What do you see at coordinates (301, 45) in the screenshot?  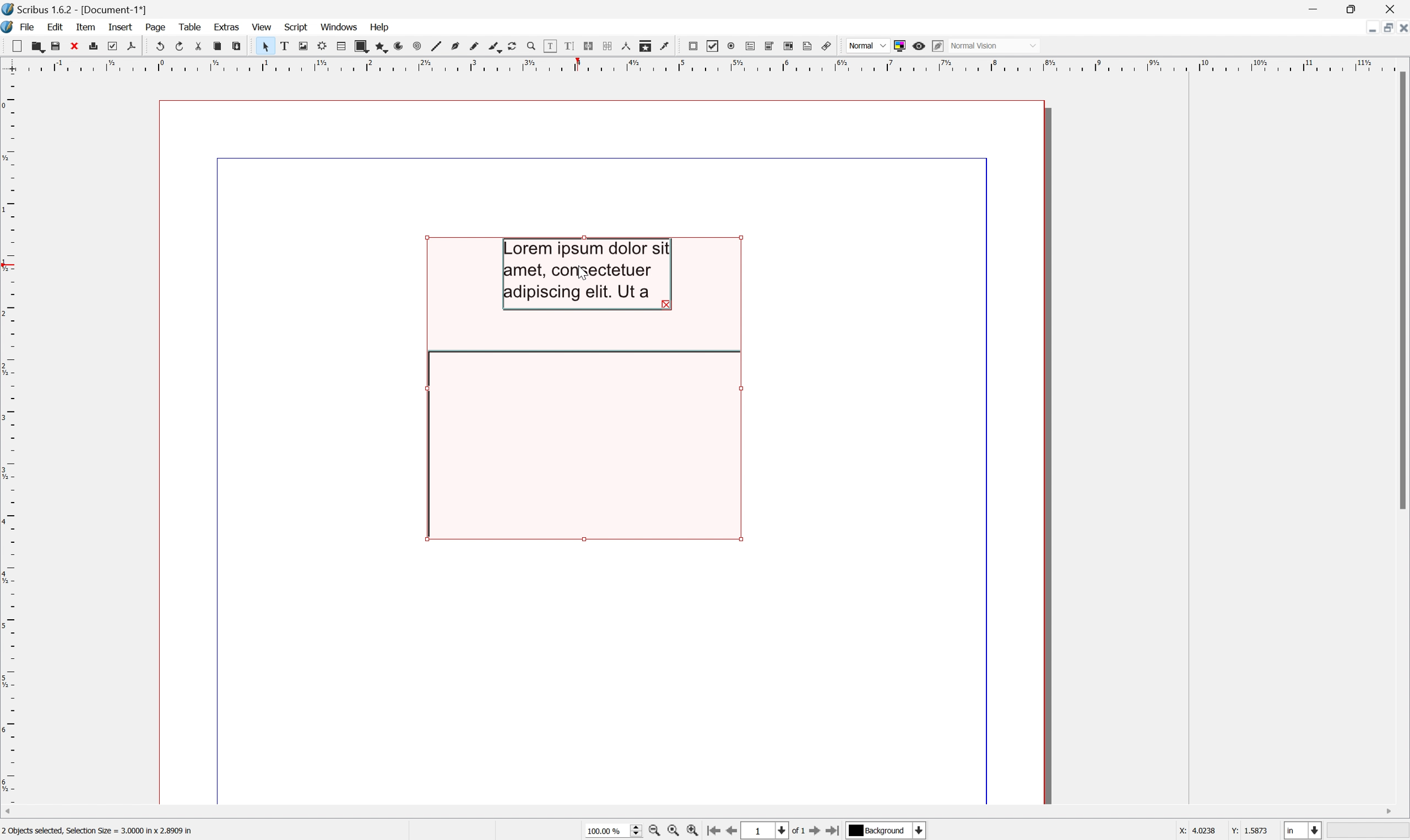 I see `Image frame` at bounding box center [301, 45].